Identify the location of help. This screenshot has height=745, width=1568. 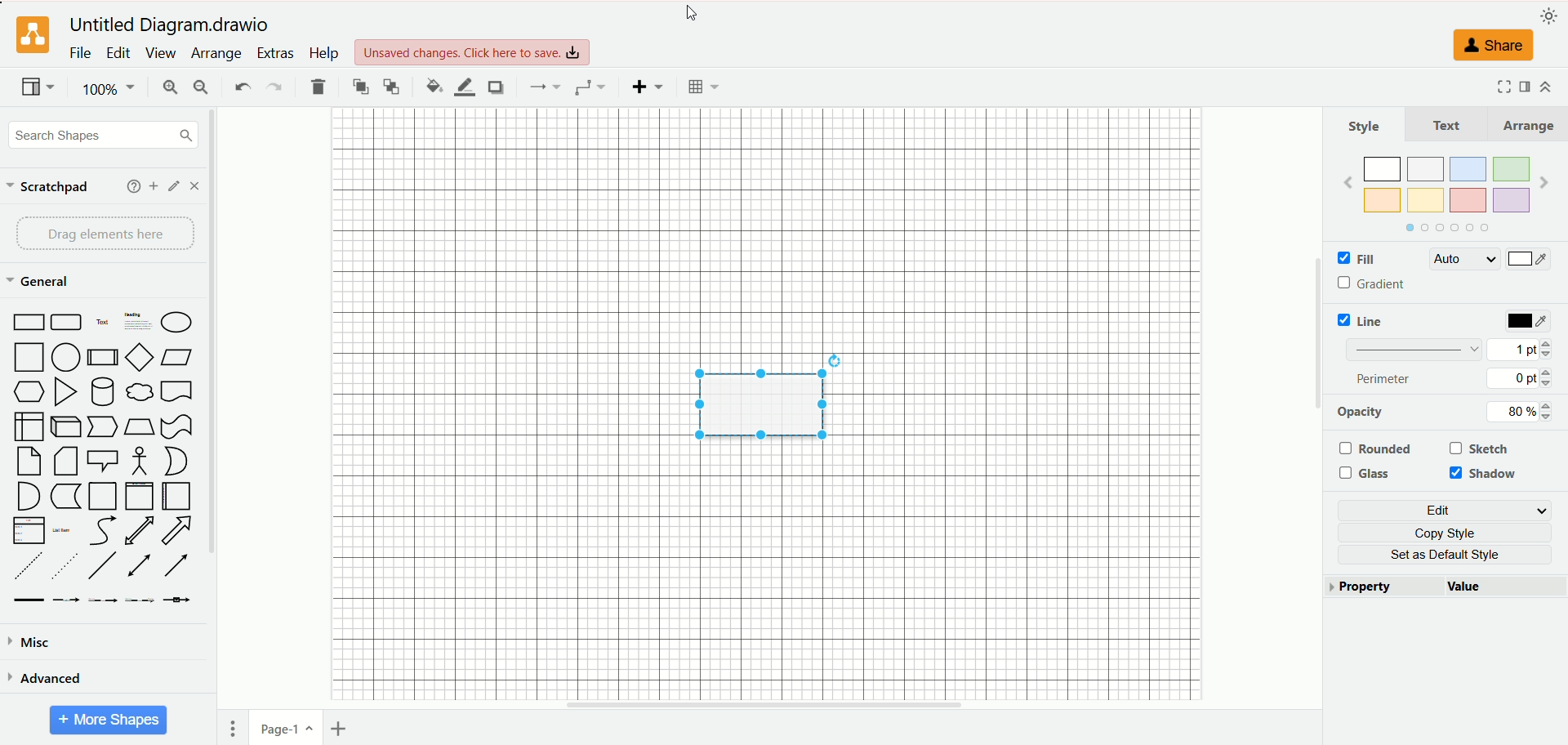
(323, 52).